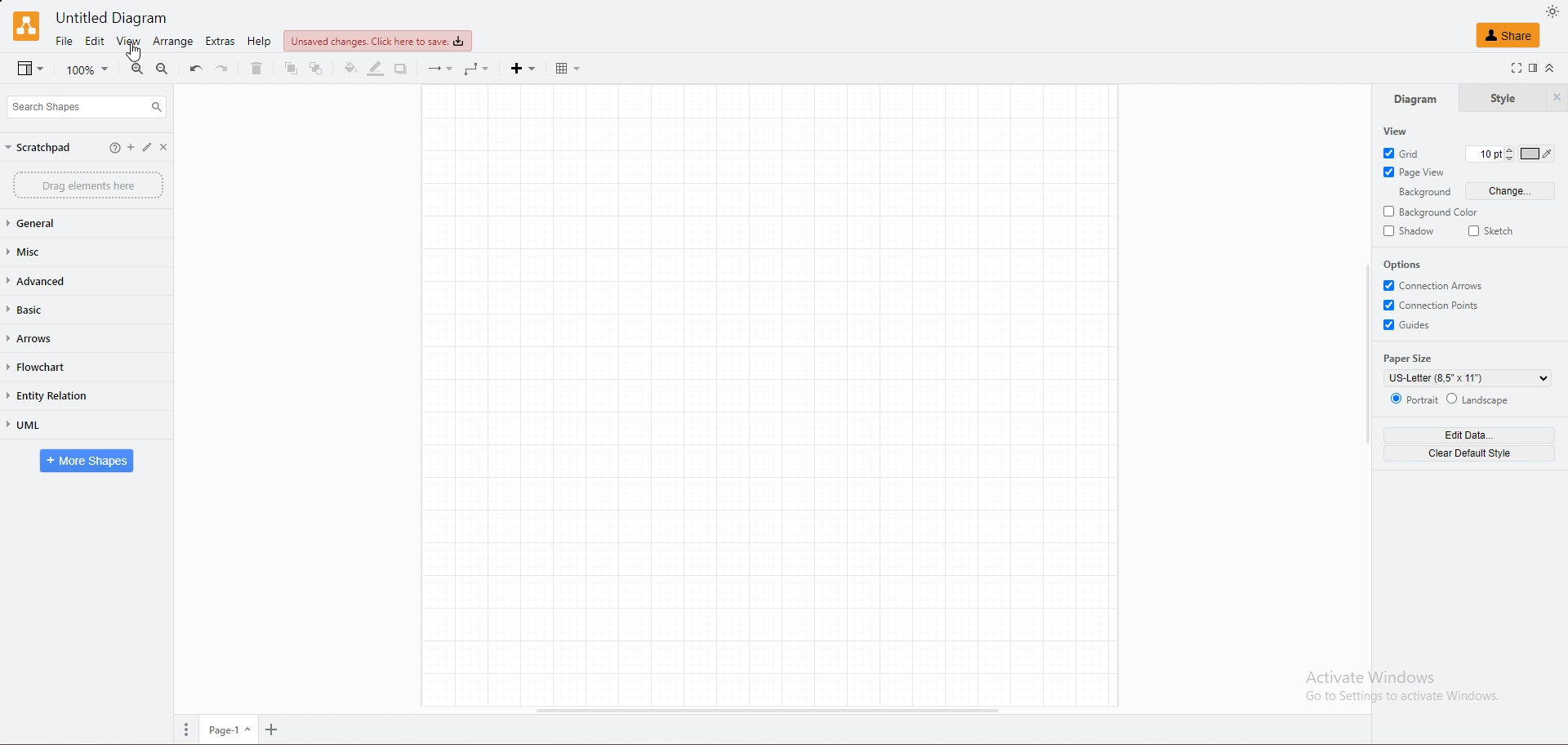  Describe the element at coordinates (255, 69) in the screenshot. I see `delete` at that location.